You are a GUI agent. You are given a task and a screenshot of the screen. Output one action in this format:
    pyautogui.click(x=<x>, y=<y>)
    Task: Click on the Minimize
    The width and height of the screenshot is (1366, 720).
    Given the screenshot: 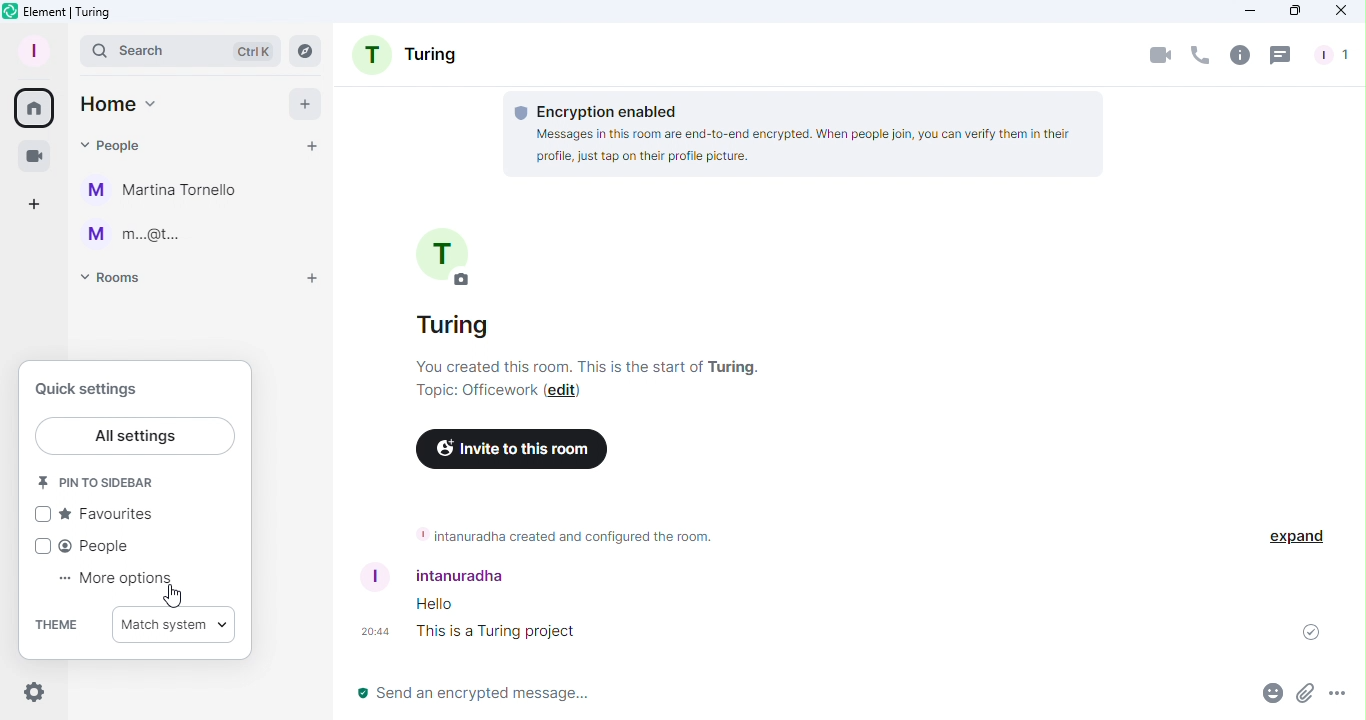 What is the action you would take?
    pyautogui.click(x=1249, y=12)
    